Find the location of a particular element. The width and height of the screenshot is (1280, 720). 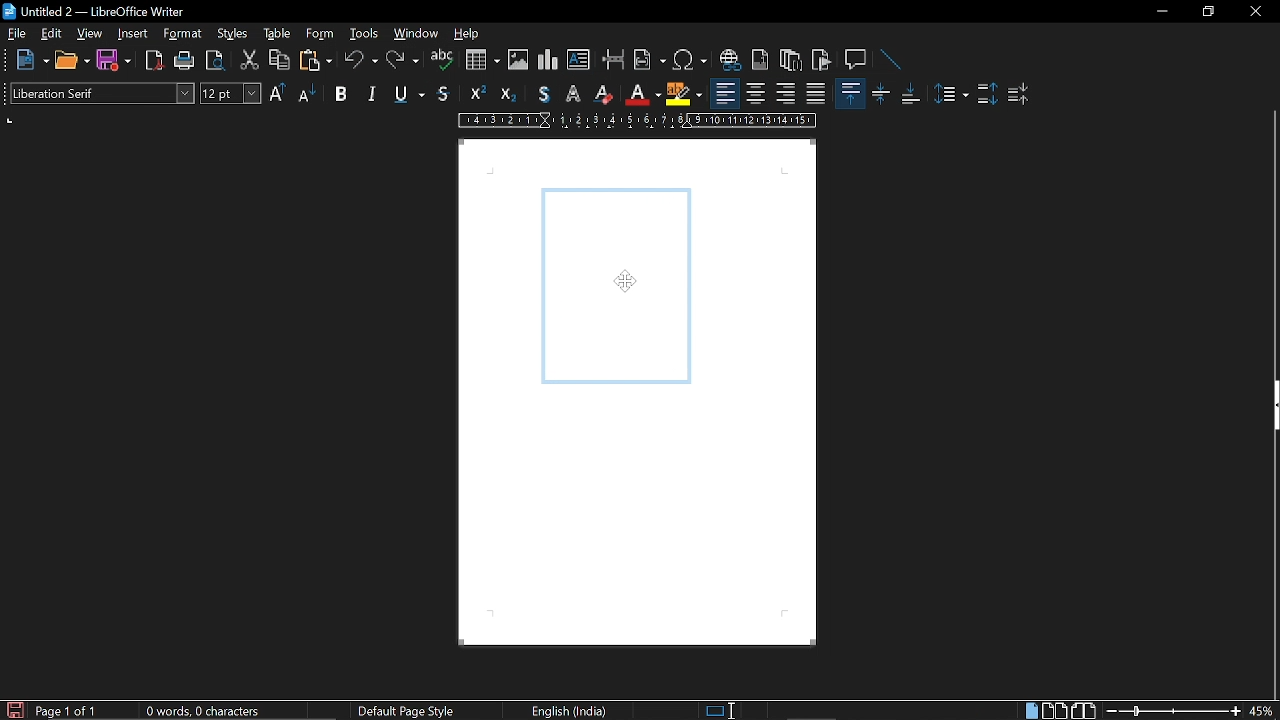

multiple page view is located at coordinates (1054, 711).